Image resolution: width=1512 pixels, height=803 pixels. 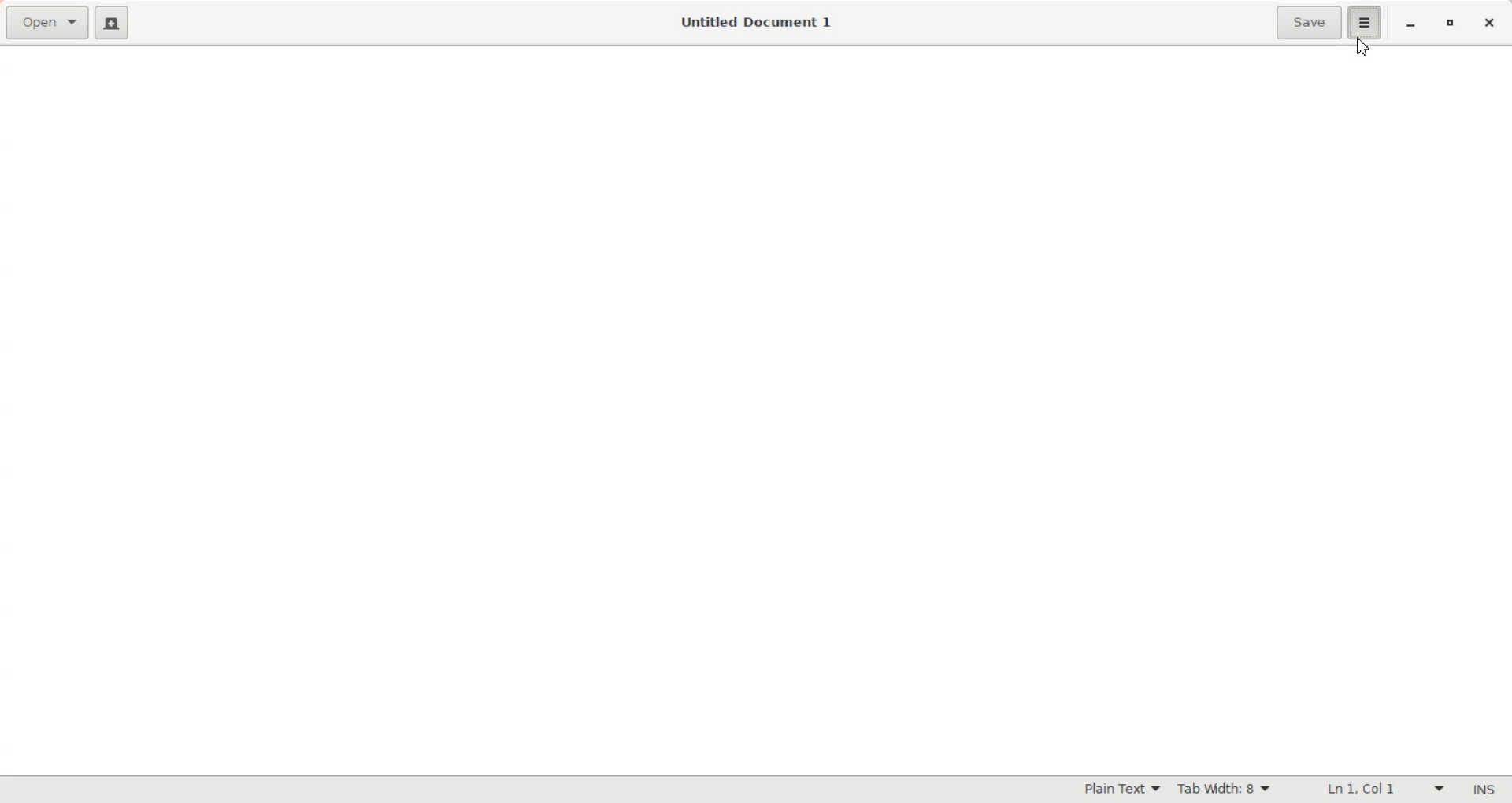 I want to click on Close, so click(x=1489, y=24).